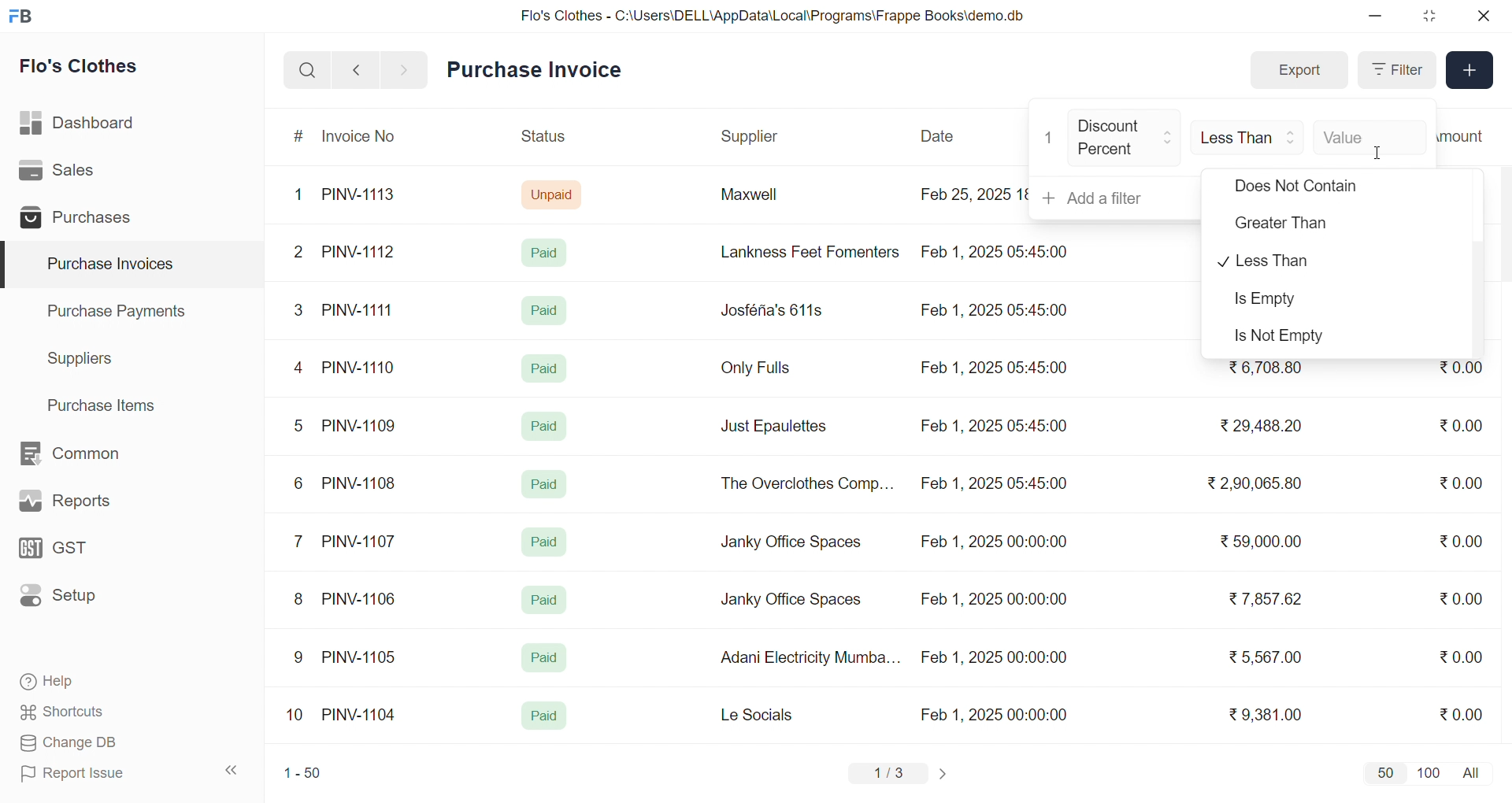 This screenshot has width=1512, height=803. Describe the element at coordinates (82, 126) in the screenshot. I see `Dashboard` at that location.